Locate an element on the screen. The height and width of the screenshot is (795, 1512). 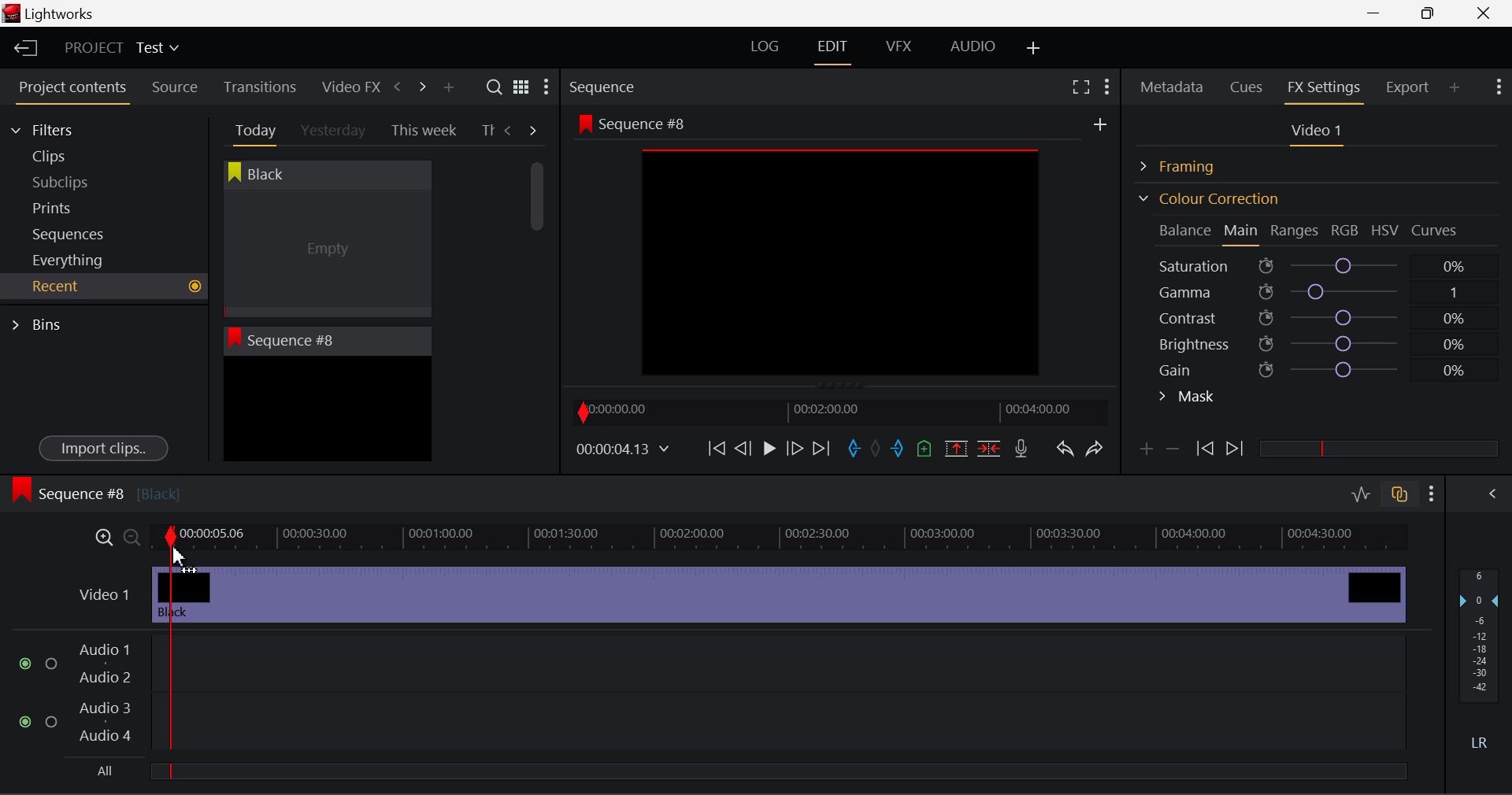
Toggle list and title view is located at coordinates (521, 87).